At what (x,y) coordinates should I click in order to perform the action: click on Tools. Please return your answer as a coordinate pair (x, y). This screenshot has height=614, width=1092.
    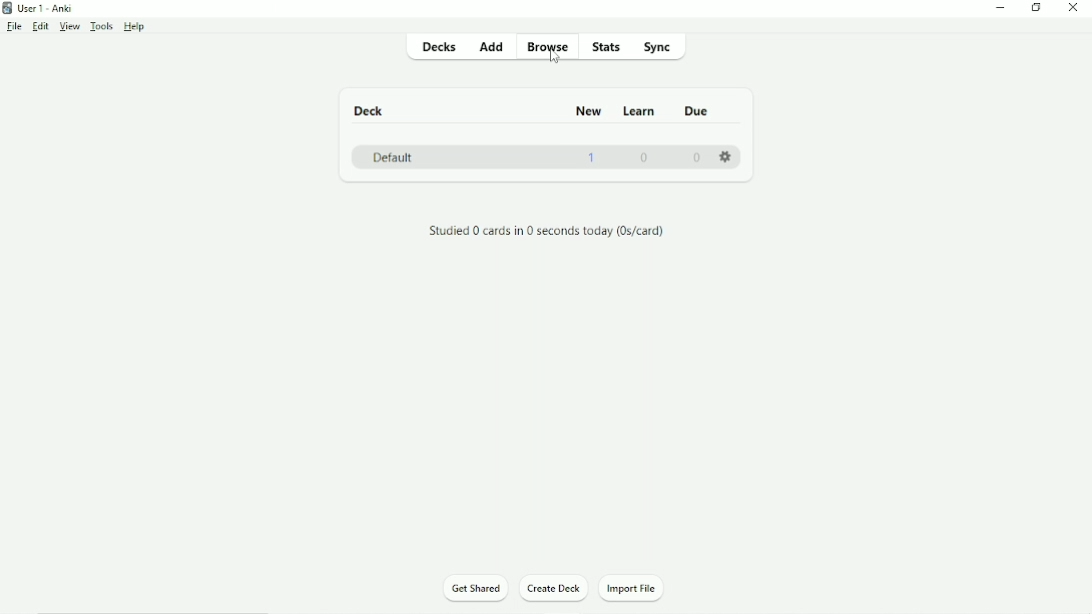
    Looking at the image, I should click on (103, 25).